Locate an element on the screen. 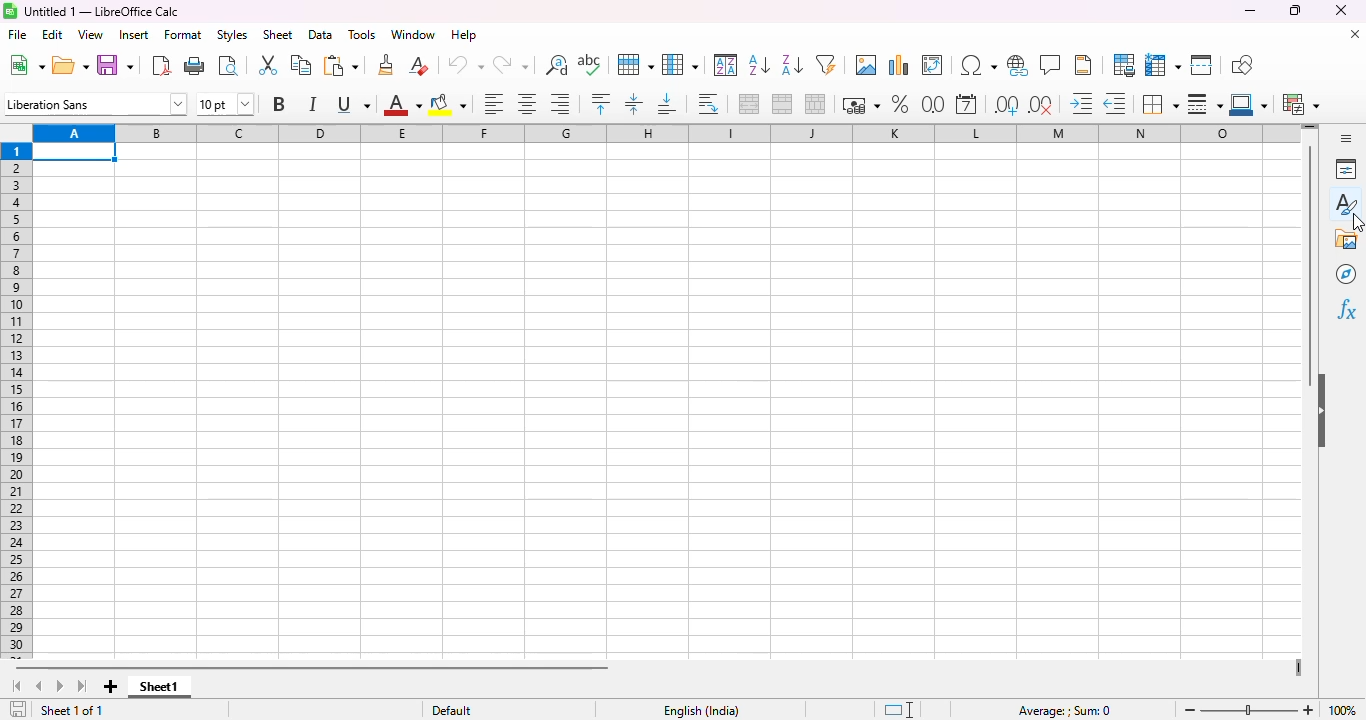  horizontal scroll bar is located at coordinates (322, 668).